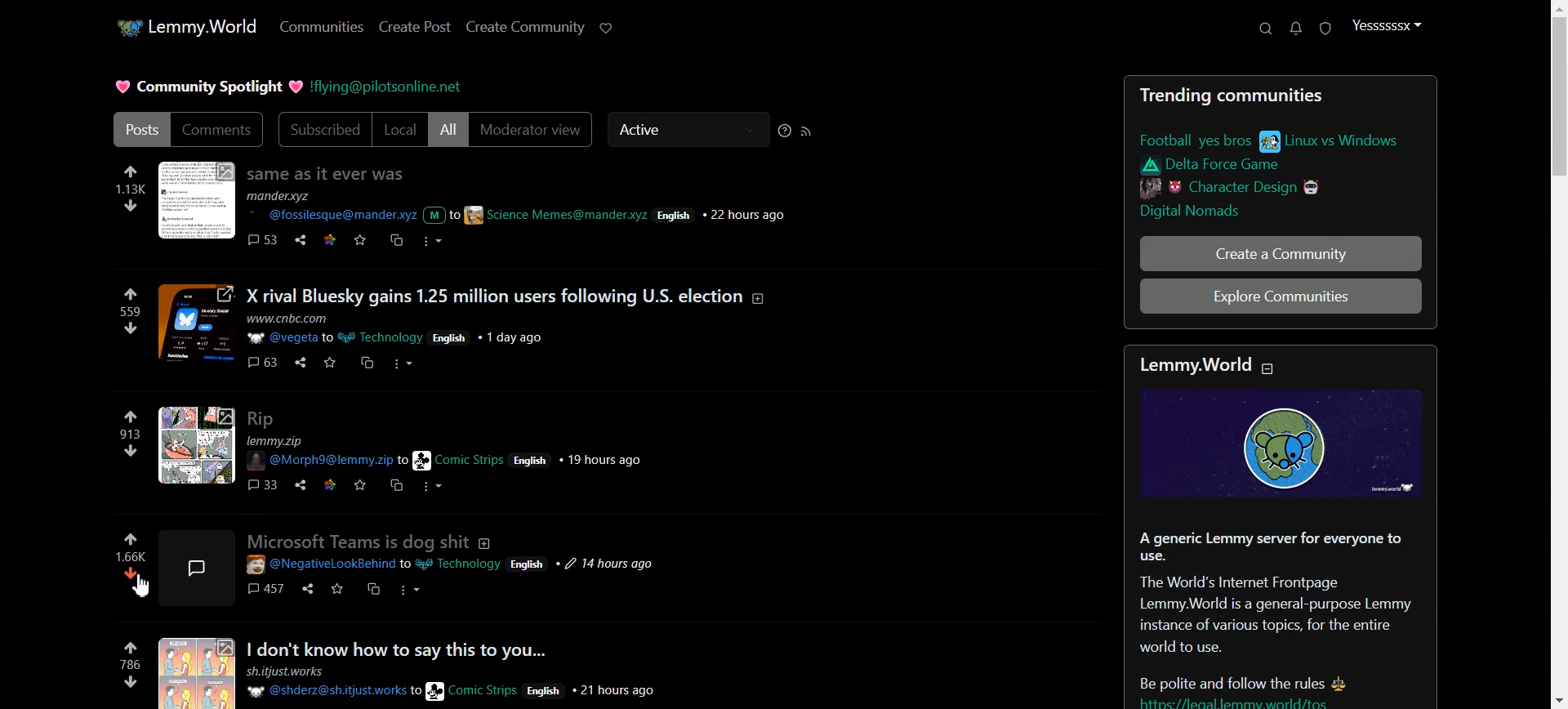  Describe the element at coordinates (301, 361) in the screenshot. I see `share` at that location.